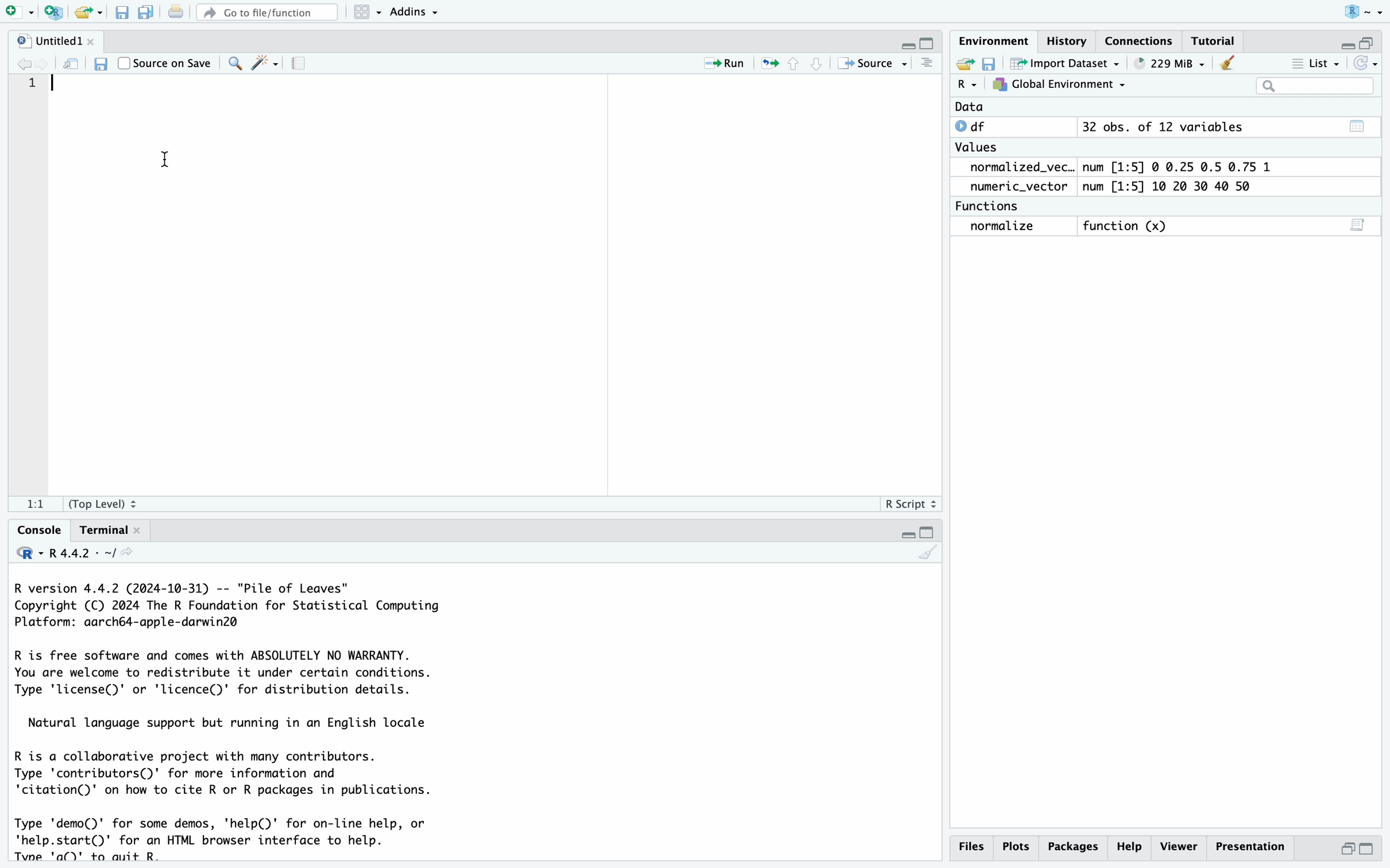 The width and height of the screenshot is (1390, 868). What do you see at coordinates (928, 64) in the screenshot?
I see `Show document outline` at bounding box center [928, 64].